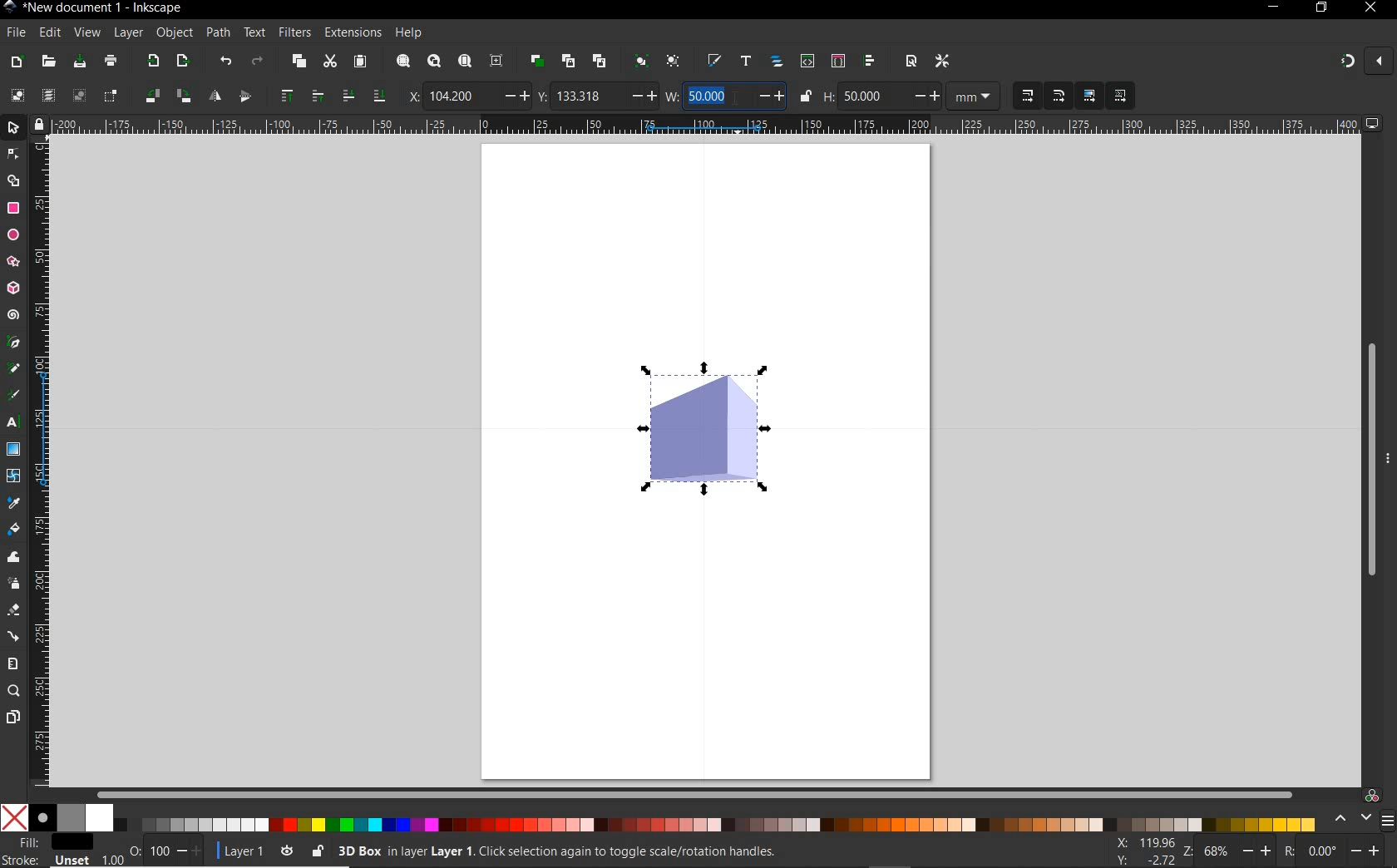 This screenshot has height=868, width=1397. Describe the element at coordinates (286, 97) in the screenshot. I see `raise selection` at that location.